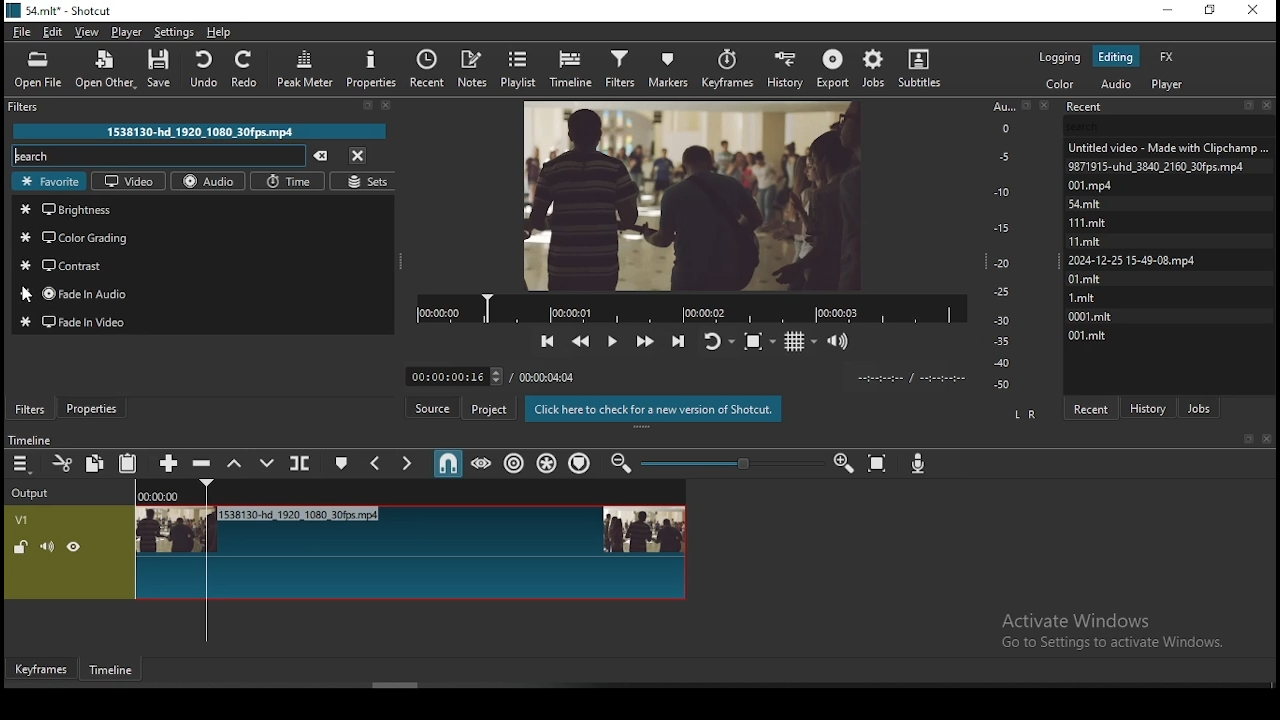 The width and height of the screenshot is (1280, 720). Describe the element at coordinates (375, 463) in the screenshot. I see `previous marker` at that location.